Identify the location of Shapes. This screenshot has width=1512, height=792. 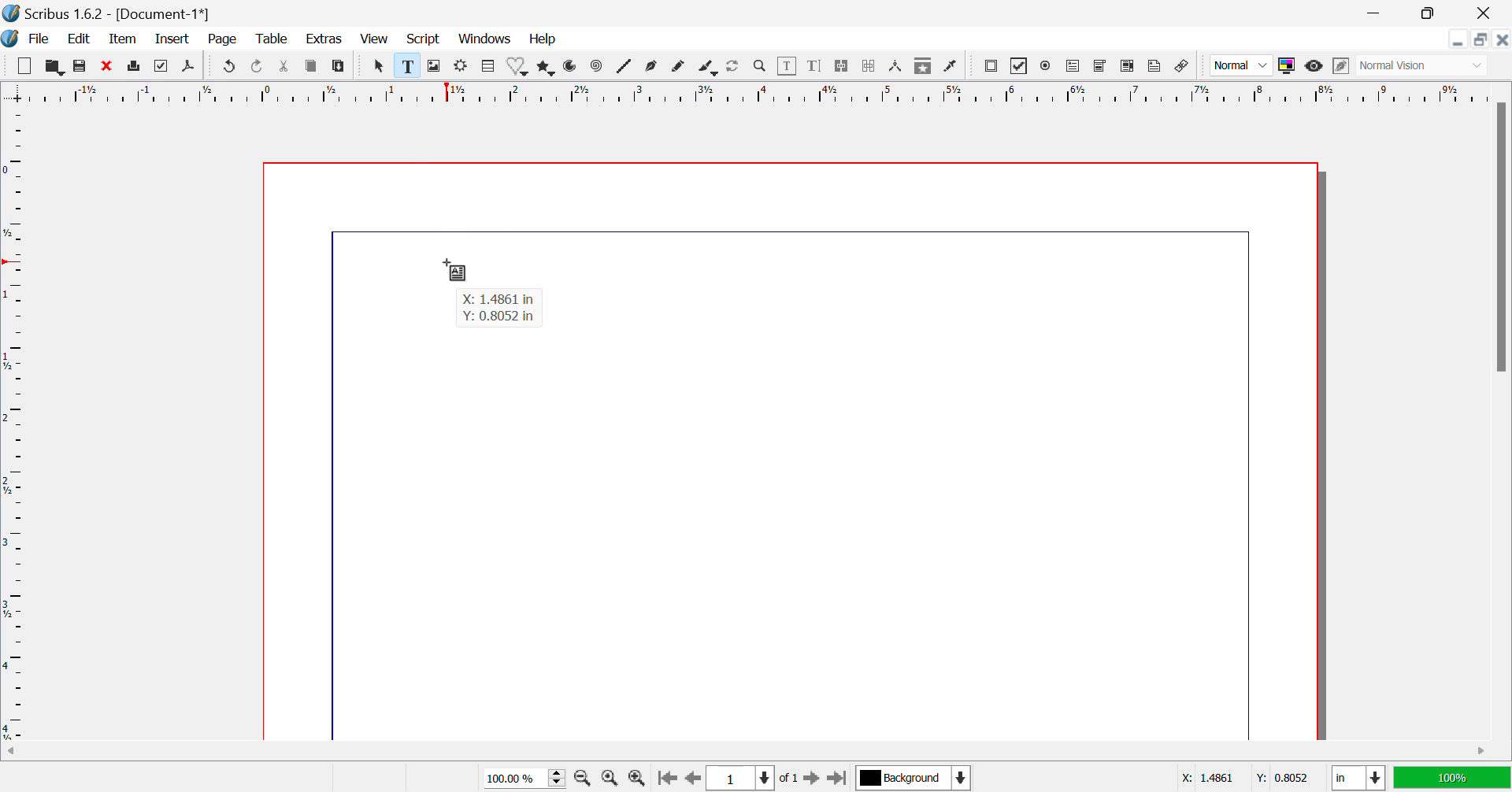
(520, 68).